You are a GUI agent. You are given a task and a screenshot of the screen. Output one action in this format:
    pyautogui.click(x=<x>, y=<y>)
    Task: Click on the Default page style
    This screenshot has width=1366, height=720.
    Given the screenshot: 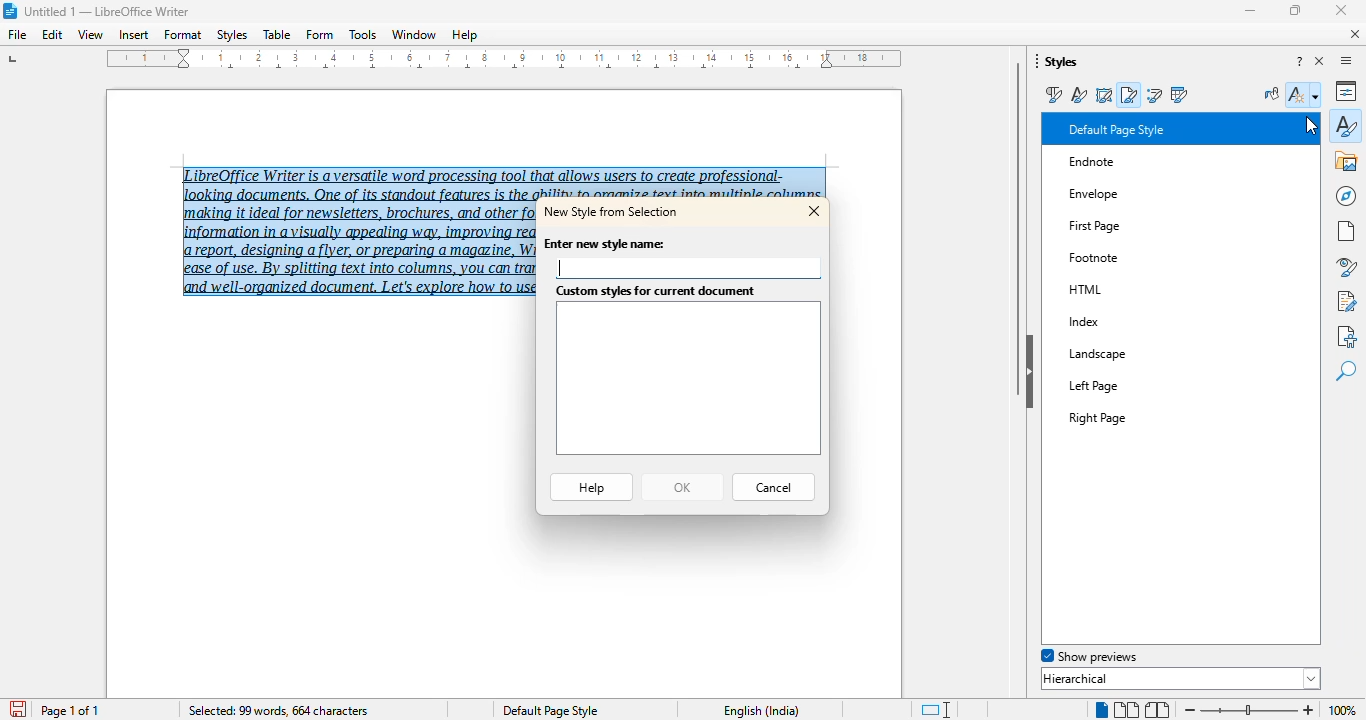 What is the action you would take?
    pyautogui.click(x=550, y=710)
    